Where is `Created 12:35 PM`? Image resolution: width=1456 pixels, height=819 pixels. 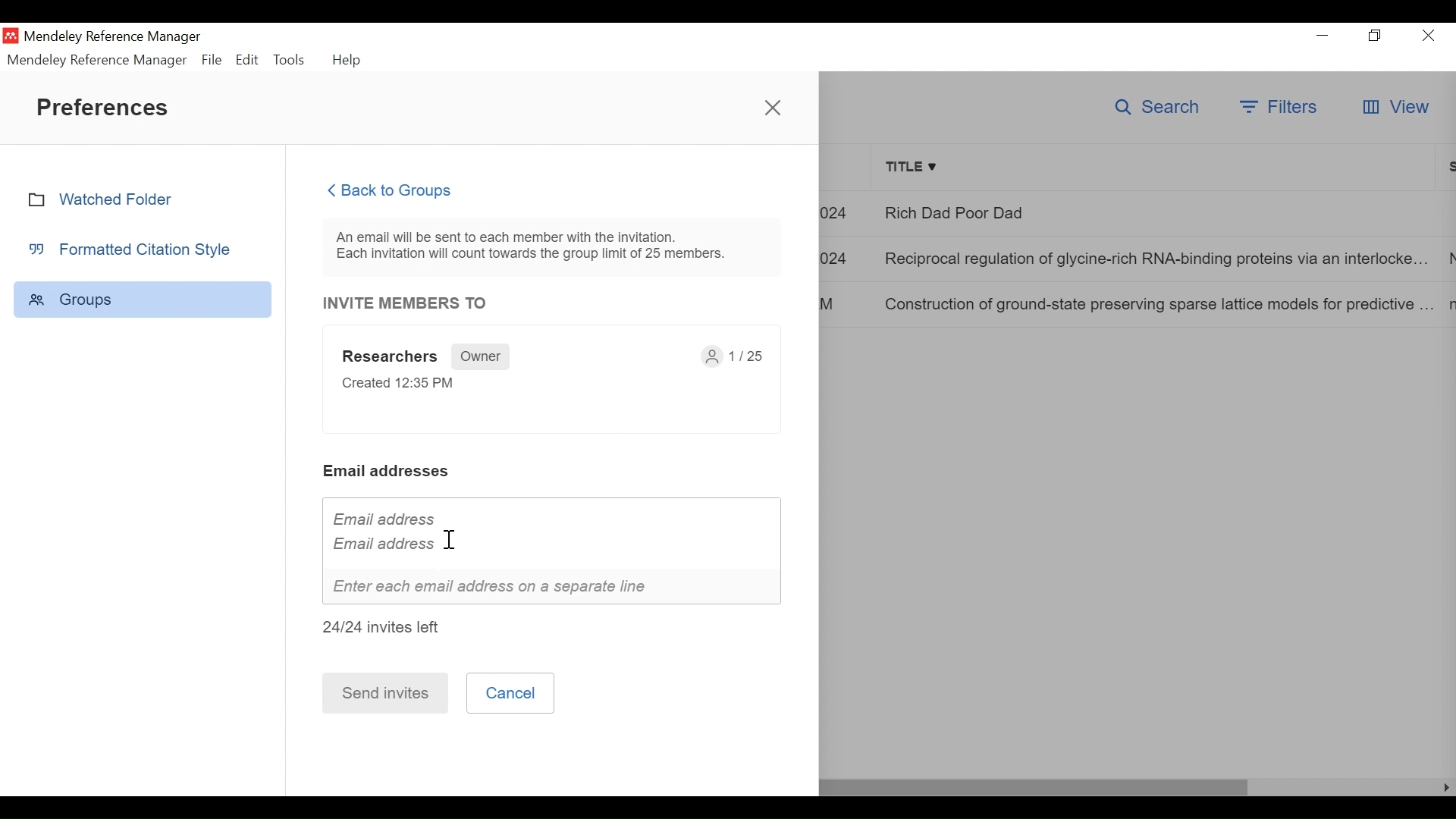
Created 12:35 PM is located at coordinates (396, 388).